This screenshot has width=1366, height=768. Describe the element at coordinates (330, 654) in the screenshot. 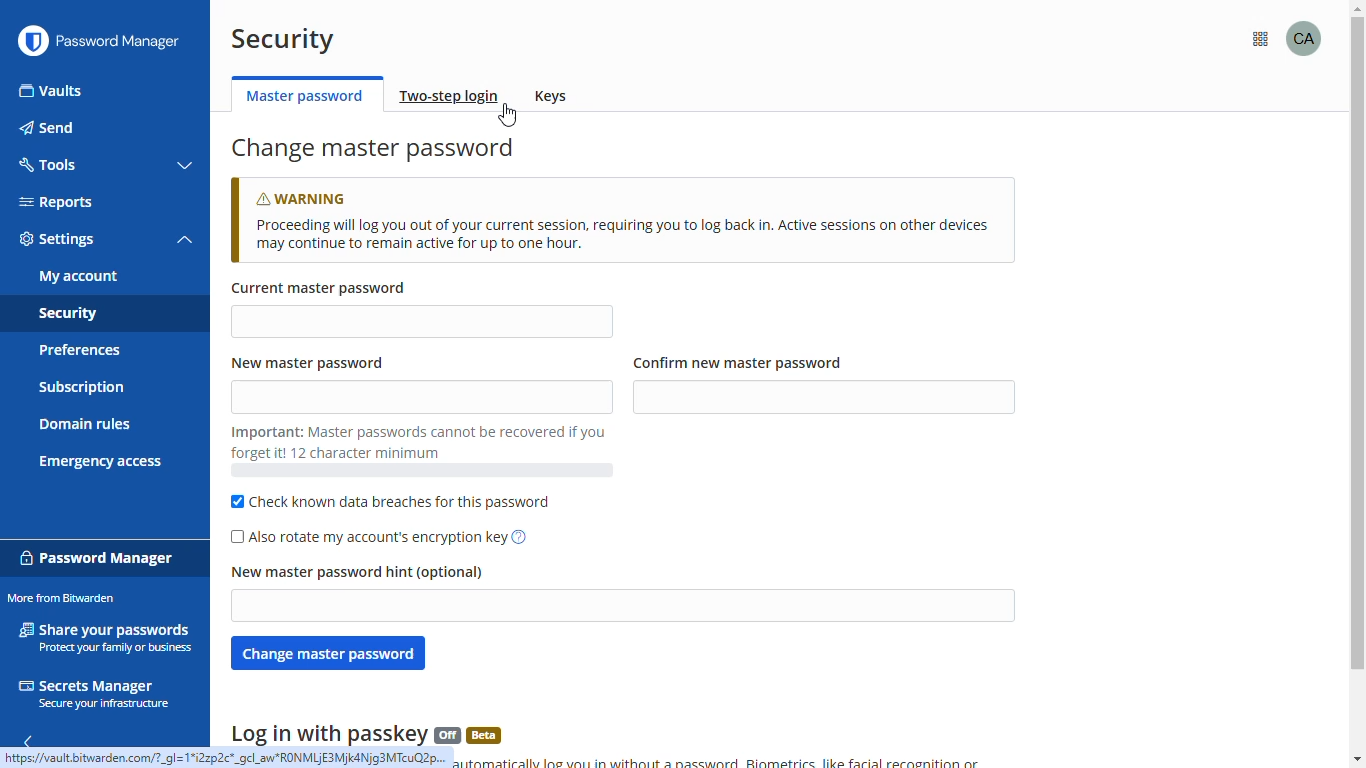

I see `change master password` at that location.